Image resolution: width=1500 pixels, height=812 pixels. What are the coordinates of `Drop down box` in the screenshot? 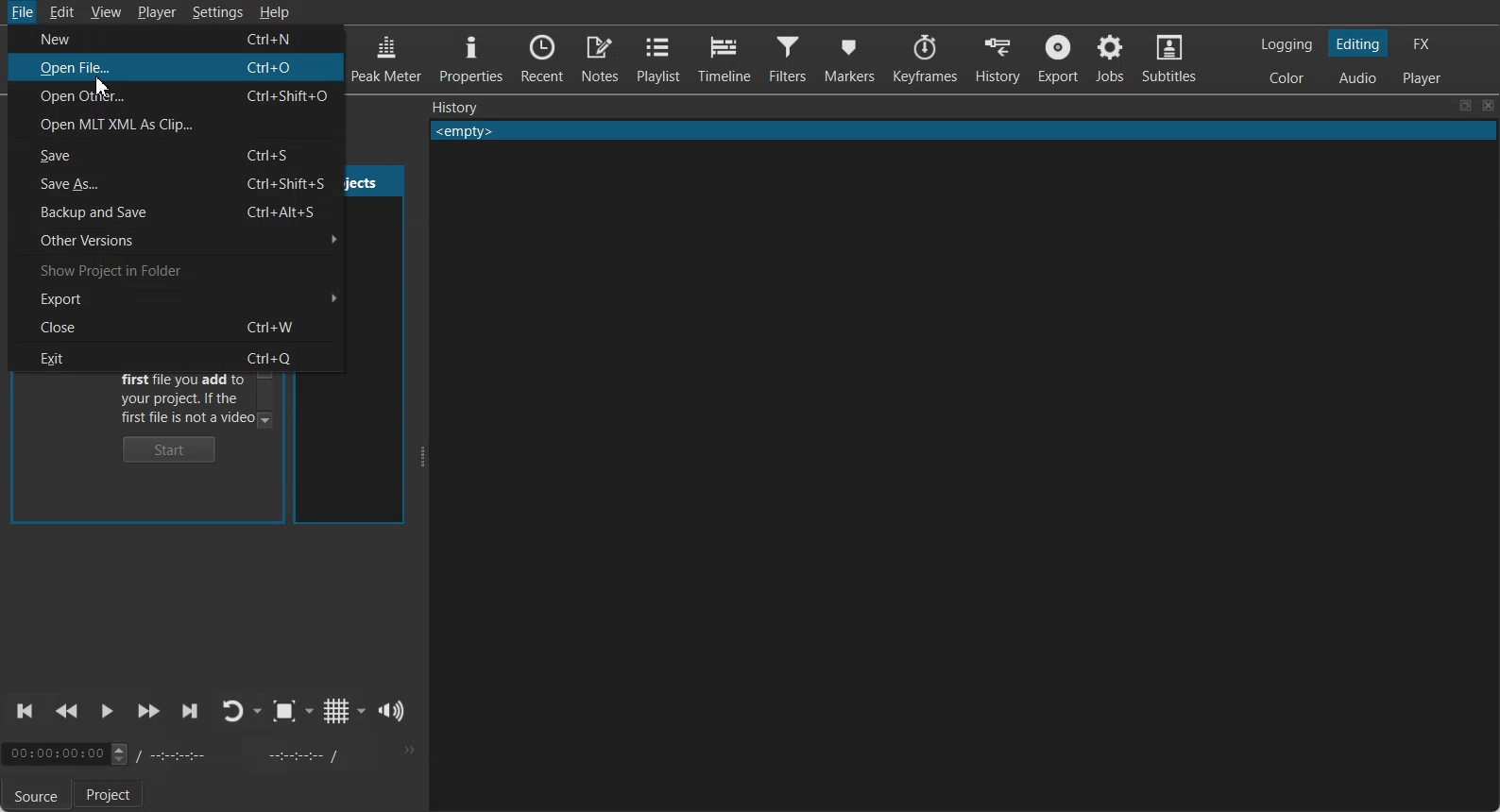 It's located at (310, 711).